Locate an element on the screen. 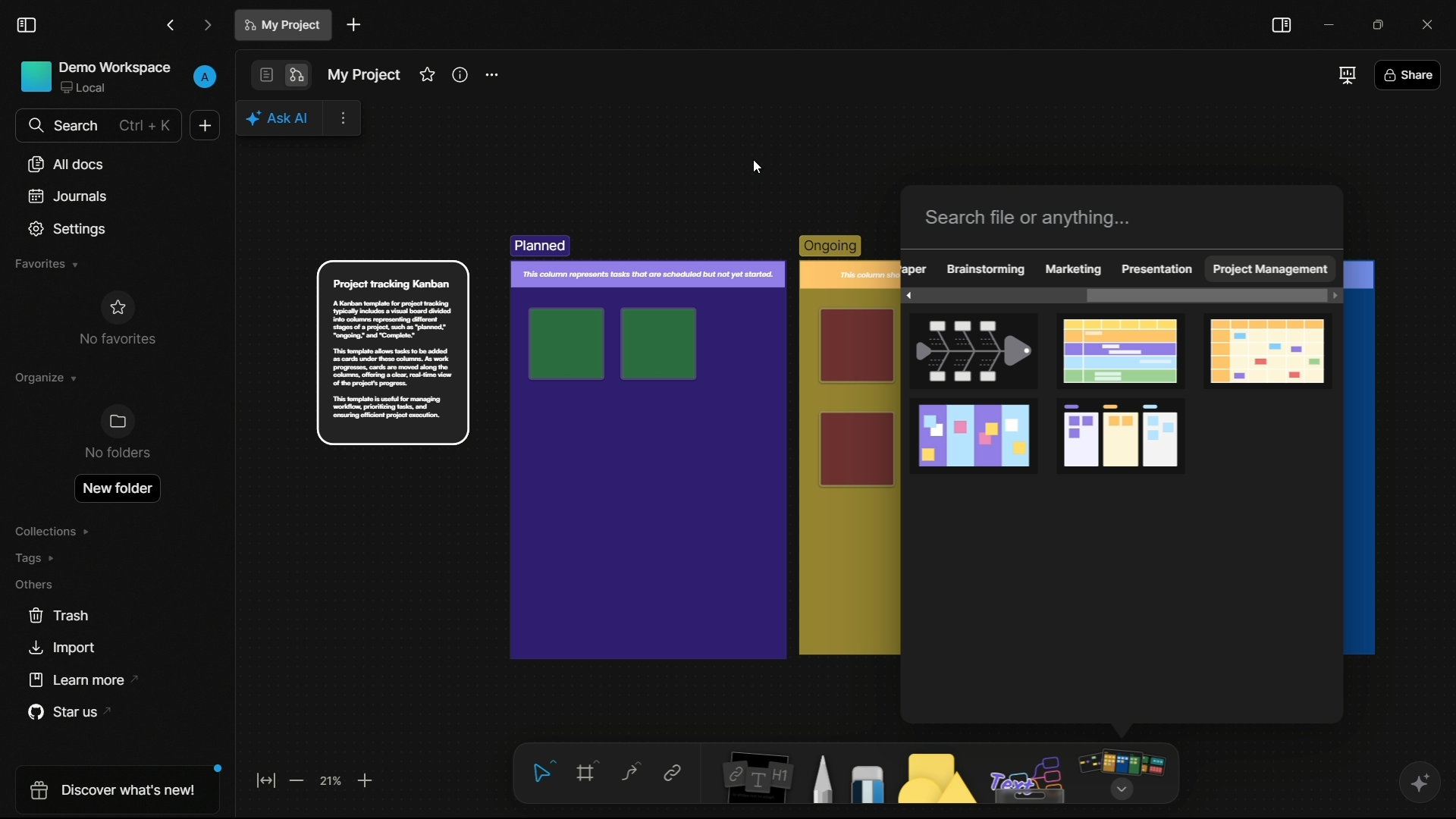 This screenshot has height=819, width=1456. star us is located at coordinates (74, 713).